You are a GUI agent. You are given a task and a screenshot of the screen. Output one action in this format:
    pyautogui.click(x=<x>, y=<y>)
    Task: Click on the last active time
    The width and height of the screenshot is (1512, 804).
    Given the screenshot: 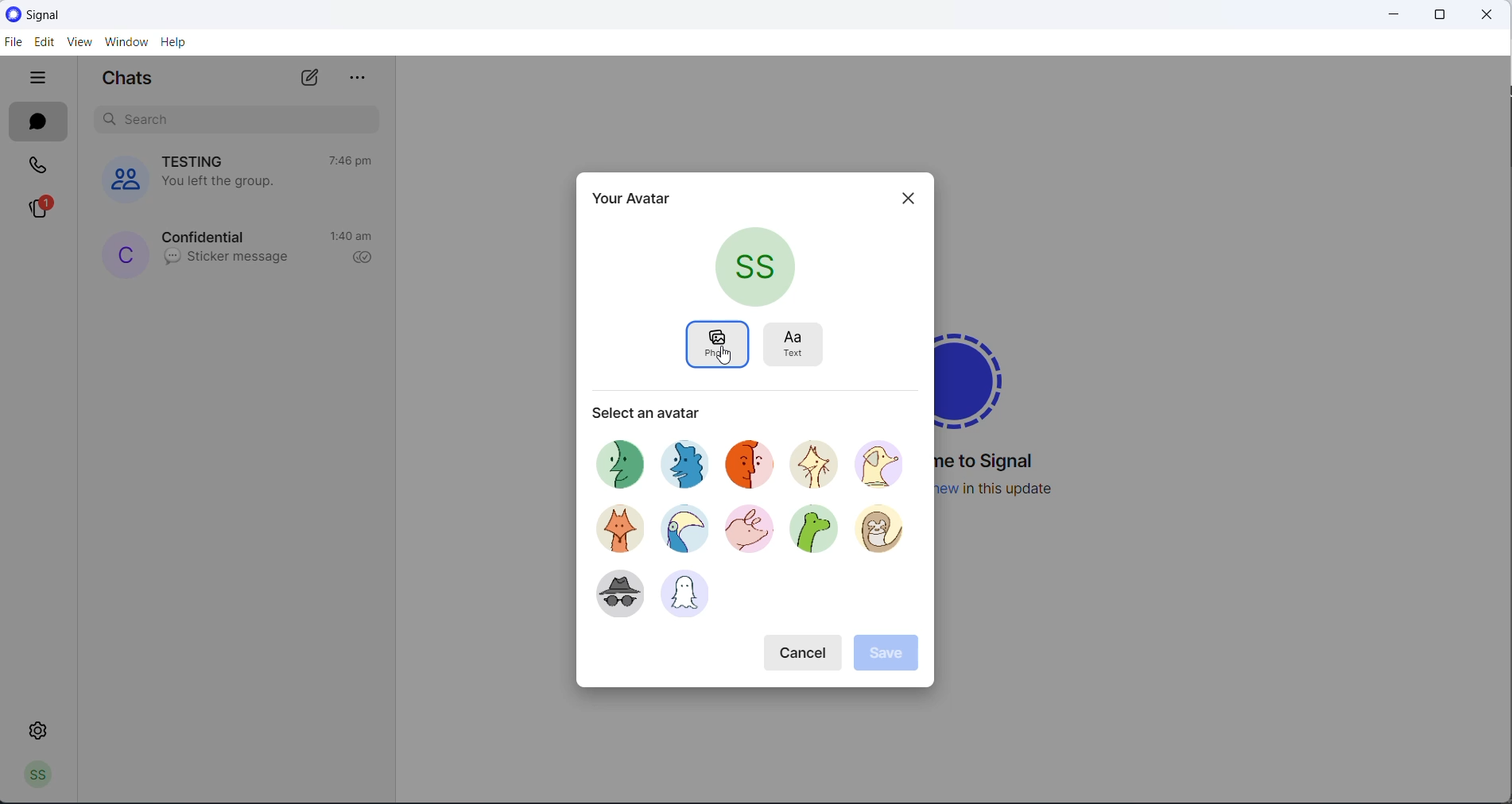 What is the action you would take?
    pyautogui.click(x=354, y=161)
    